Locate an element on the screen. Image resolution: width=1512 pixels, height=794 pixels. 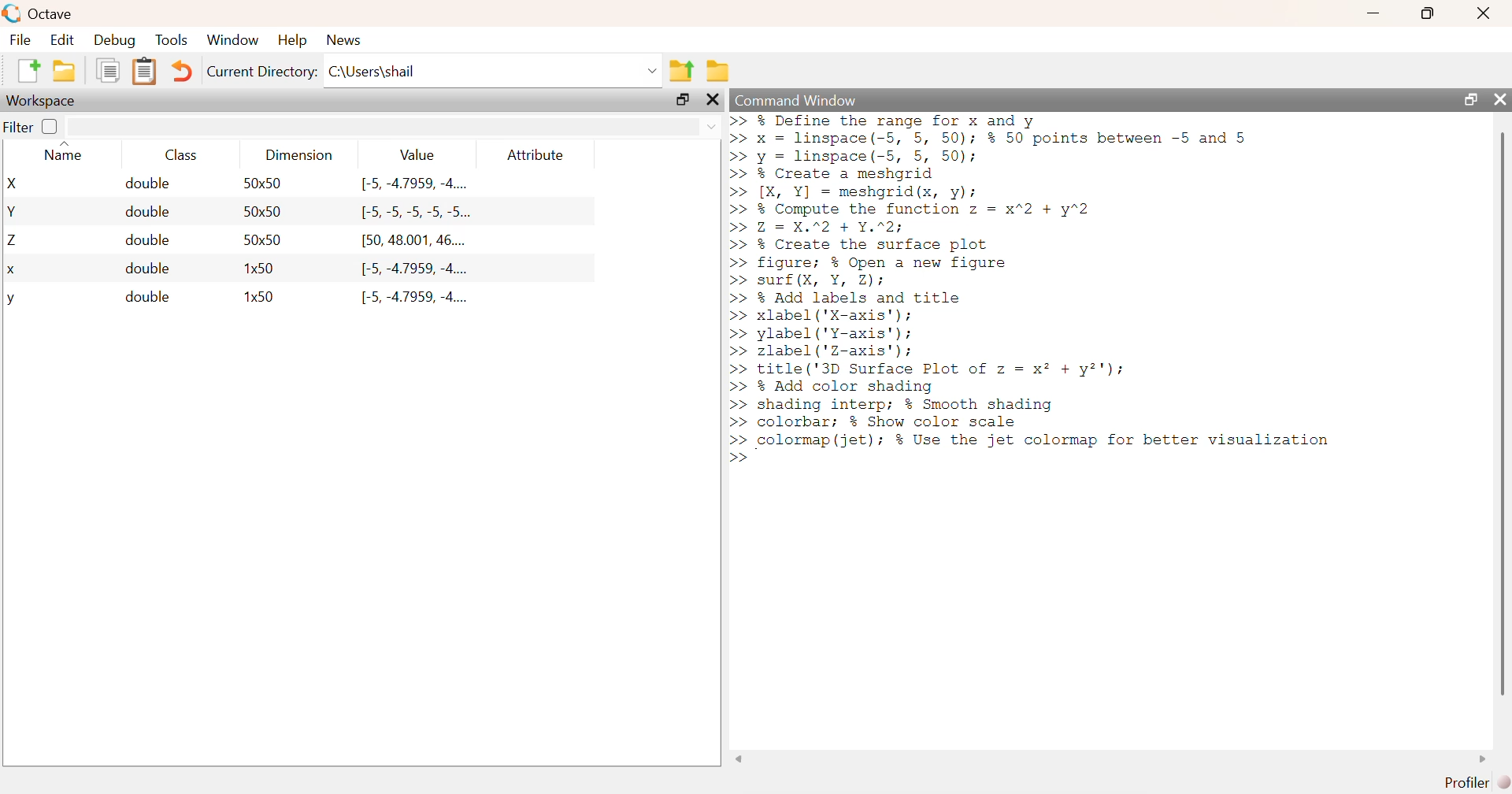
C:\Users\shail is located at coordinates (375, 72).